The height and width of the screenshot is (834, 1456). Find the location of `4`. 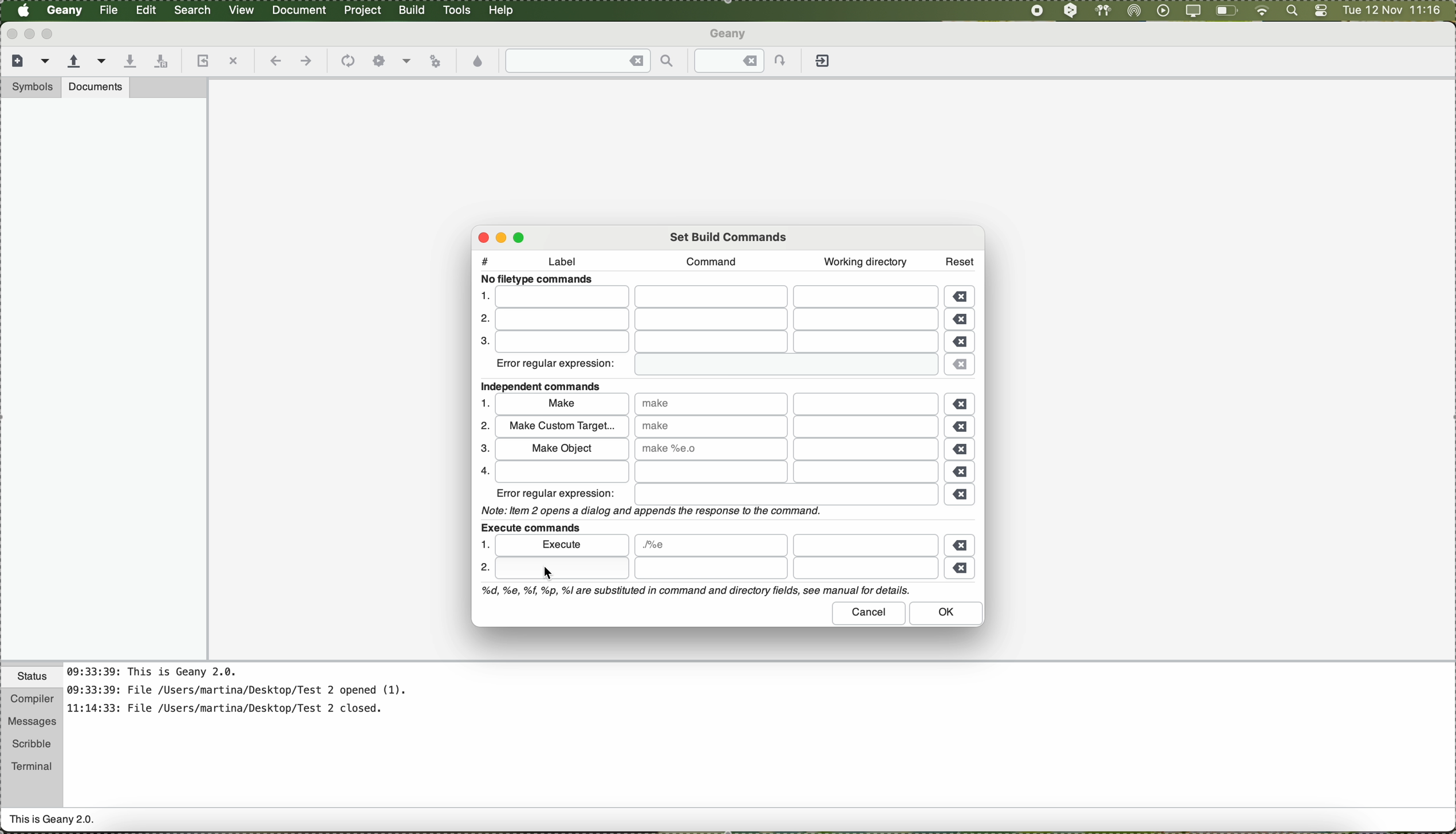

4 is located at coordinates (482, 470).